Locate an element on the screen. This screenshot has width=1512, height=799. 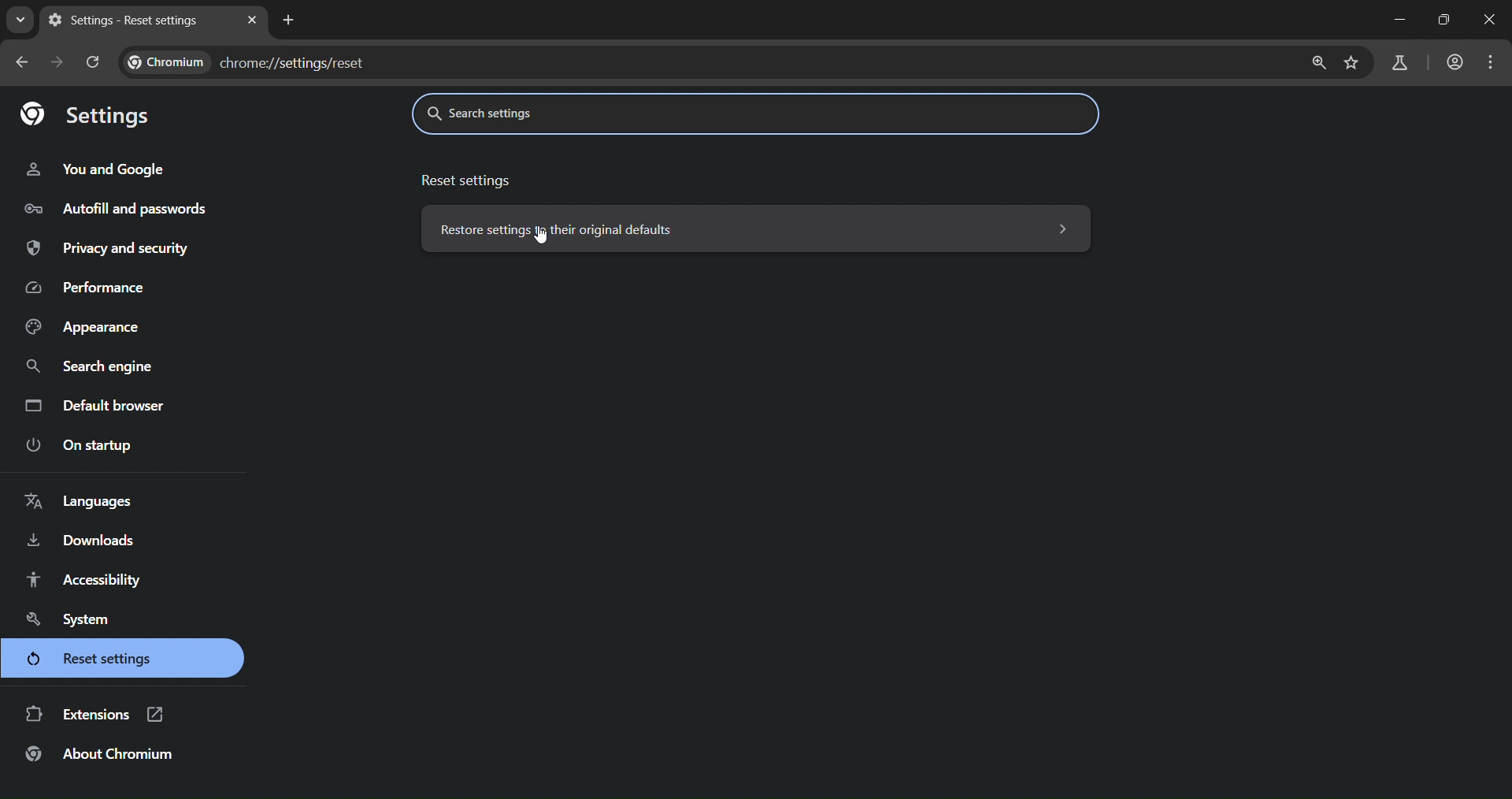
performance is located at coordinates (91, 284).